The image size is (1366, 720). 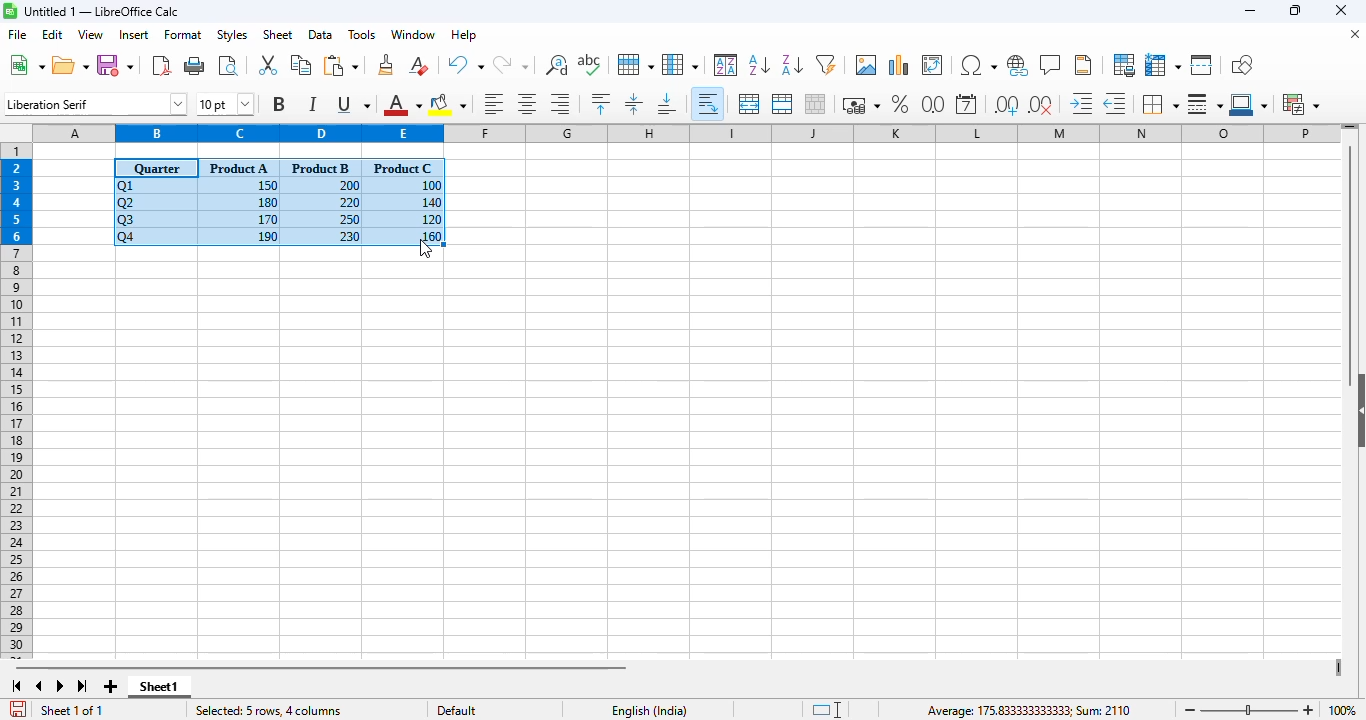 I want to click on logo, so click(x=10, y=10).